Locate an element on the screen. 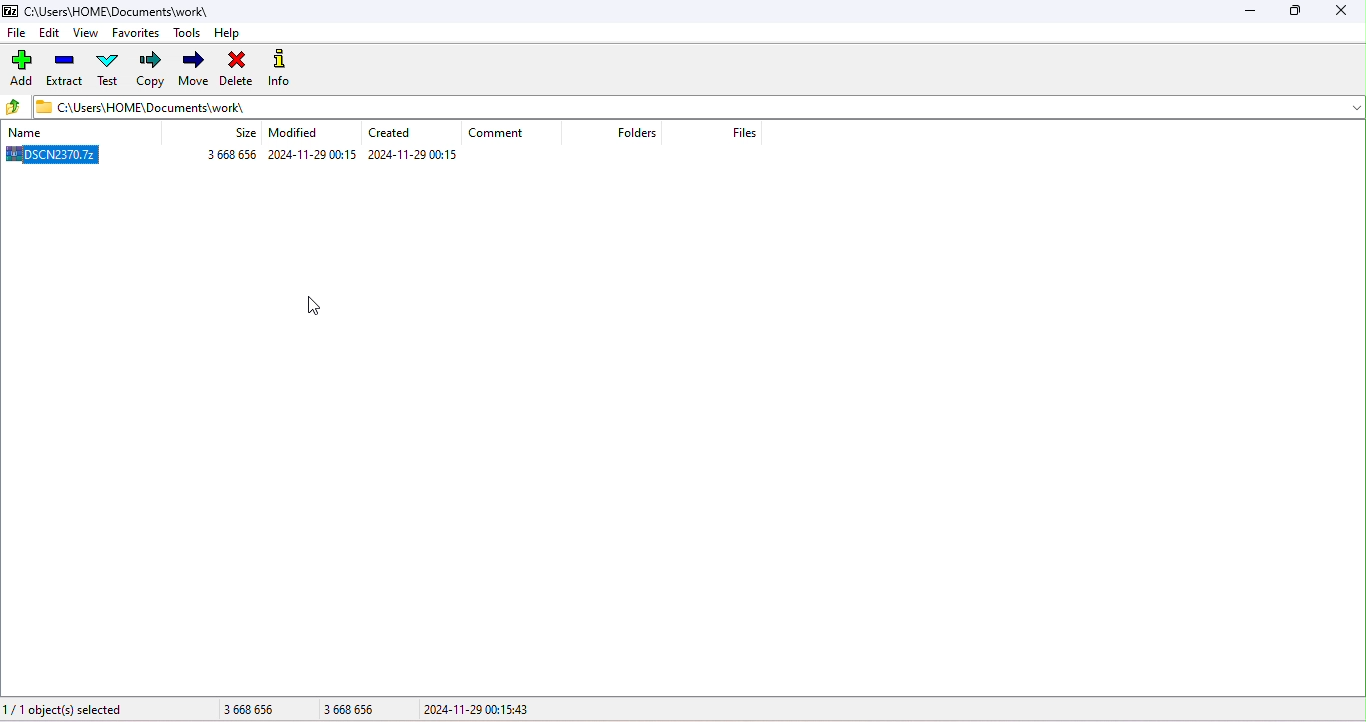 This screenshot has width=1366, height=722. name is located at coordinates (50, 132).